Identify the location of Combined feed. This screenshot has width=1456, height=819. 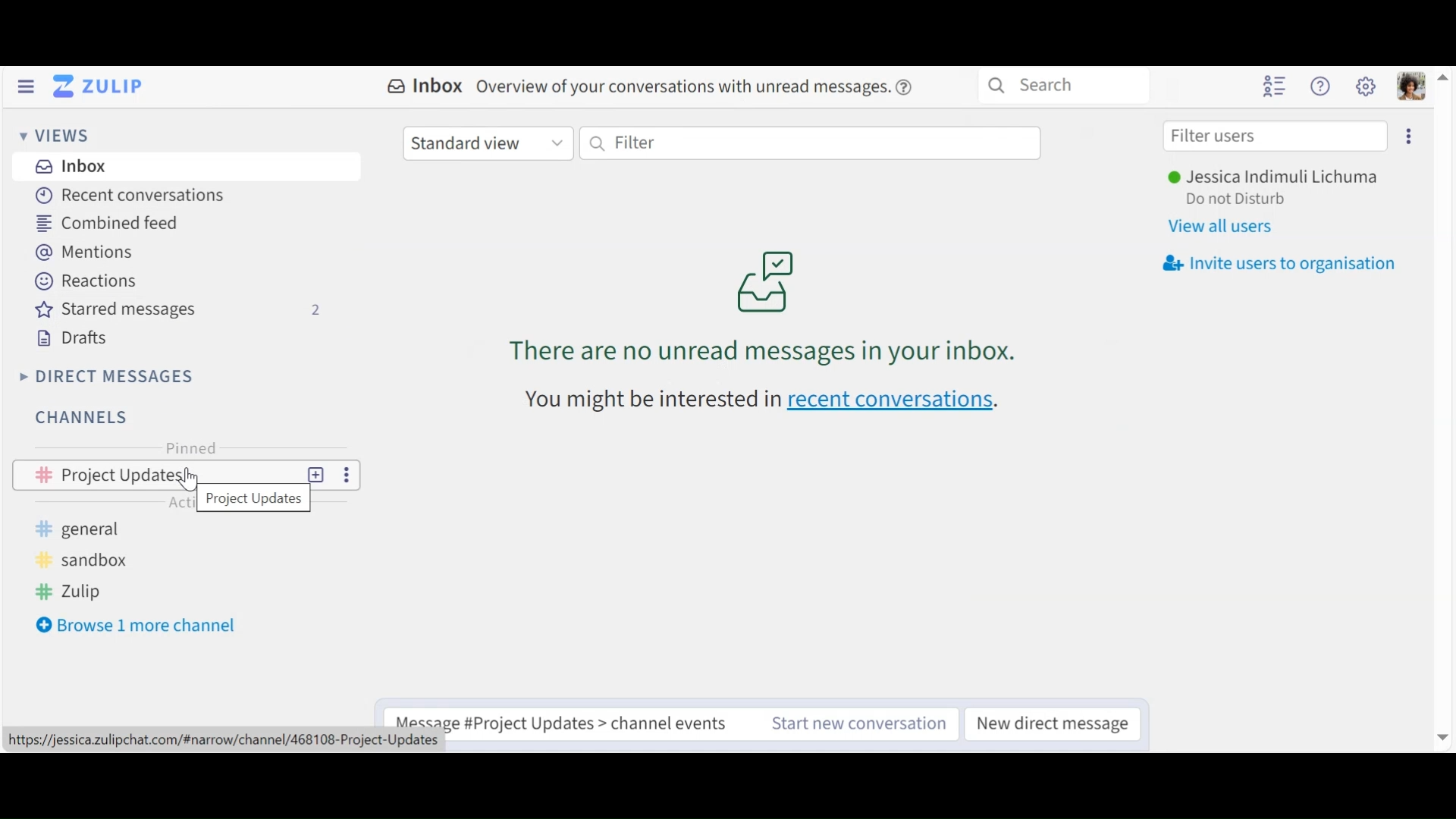
(106, 224).